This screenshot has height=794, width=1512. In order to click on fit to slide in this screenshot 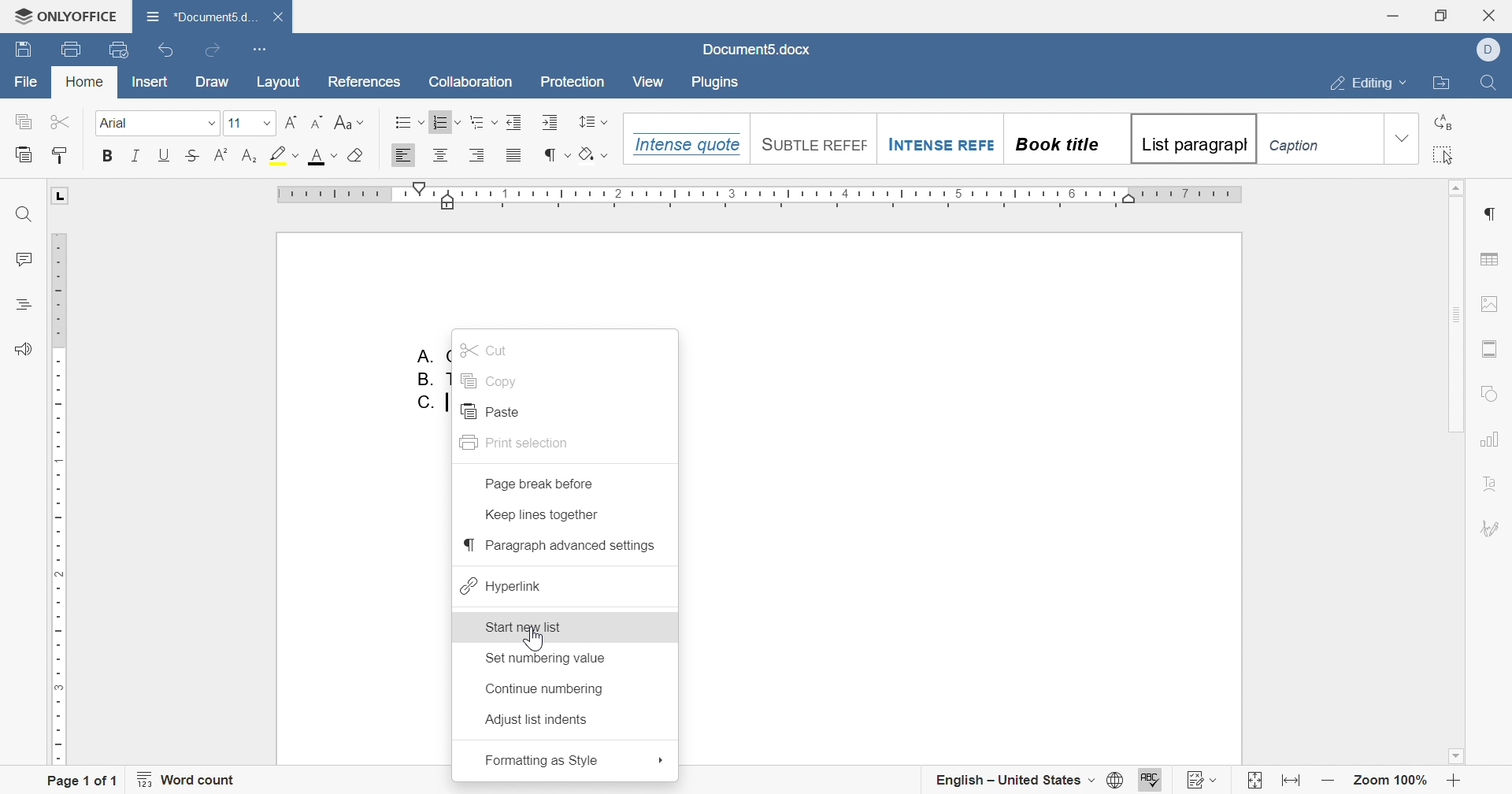, I will do `click(1254, 781)`.